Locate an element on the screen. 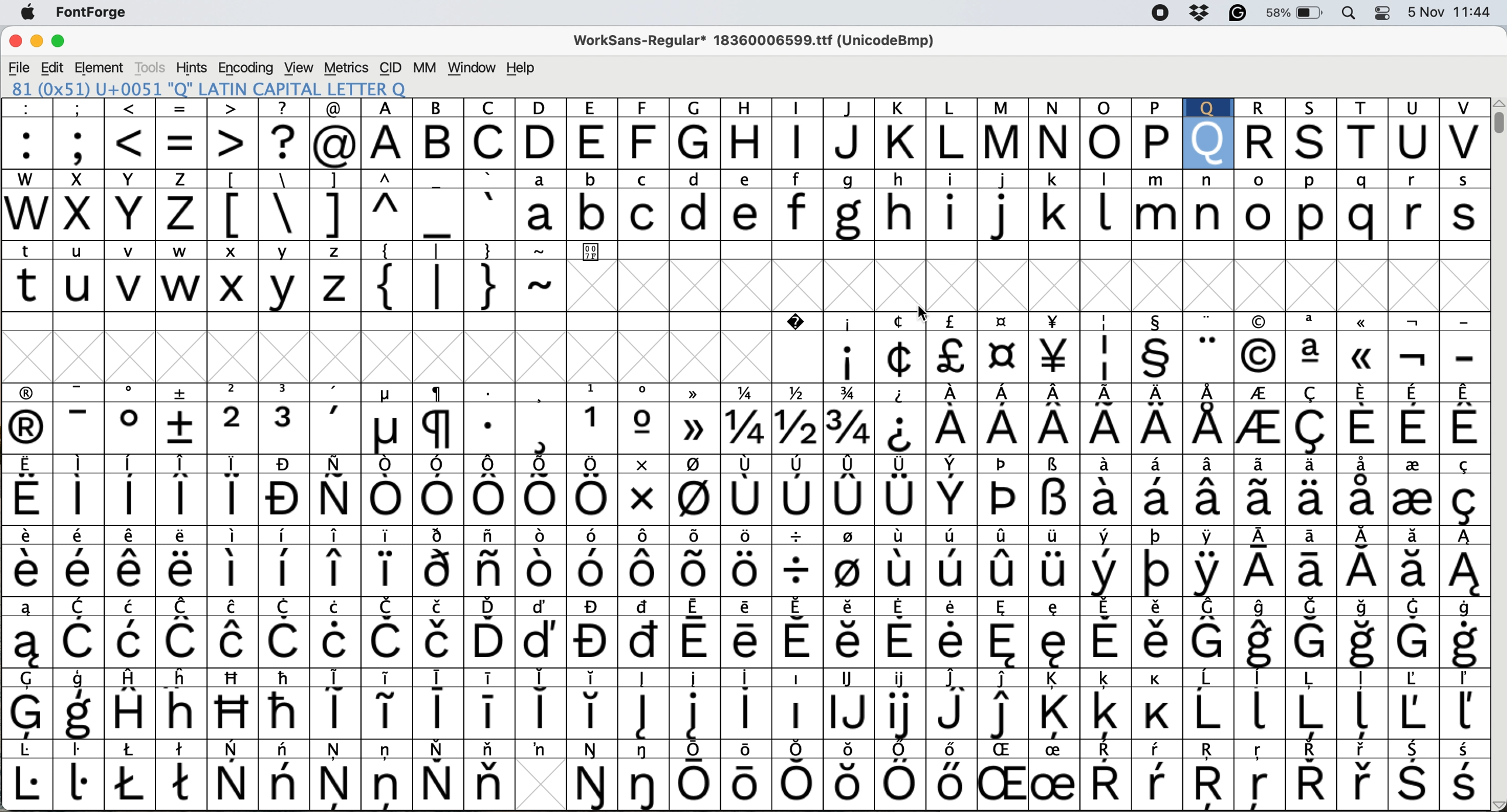 The height and width of the screenshot is (812, 1507). text is located at coordinates (750, 676).